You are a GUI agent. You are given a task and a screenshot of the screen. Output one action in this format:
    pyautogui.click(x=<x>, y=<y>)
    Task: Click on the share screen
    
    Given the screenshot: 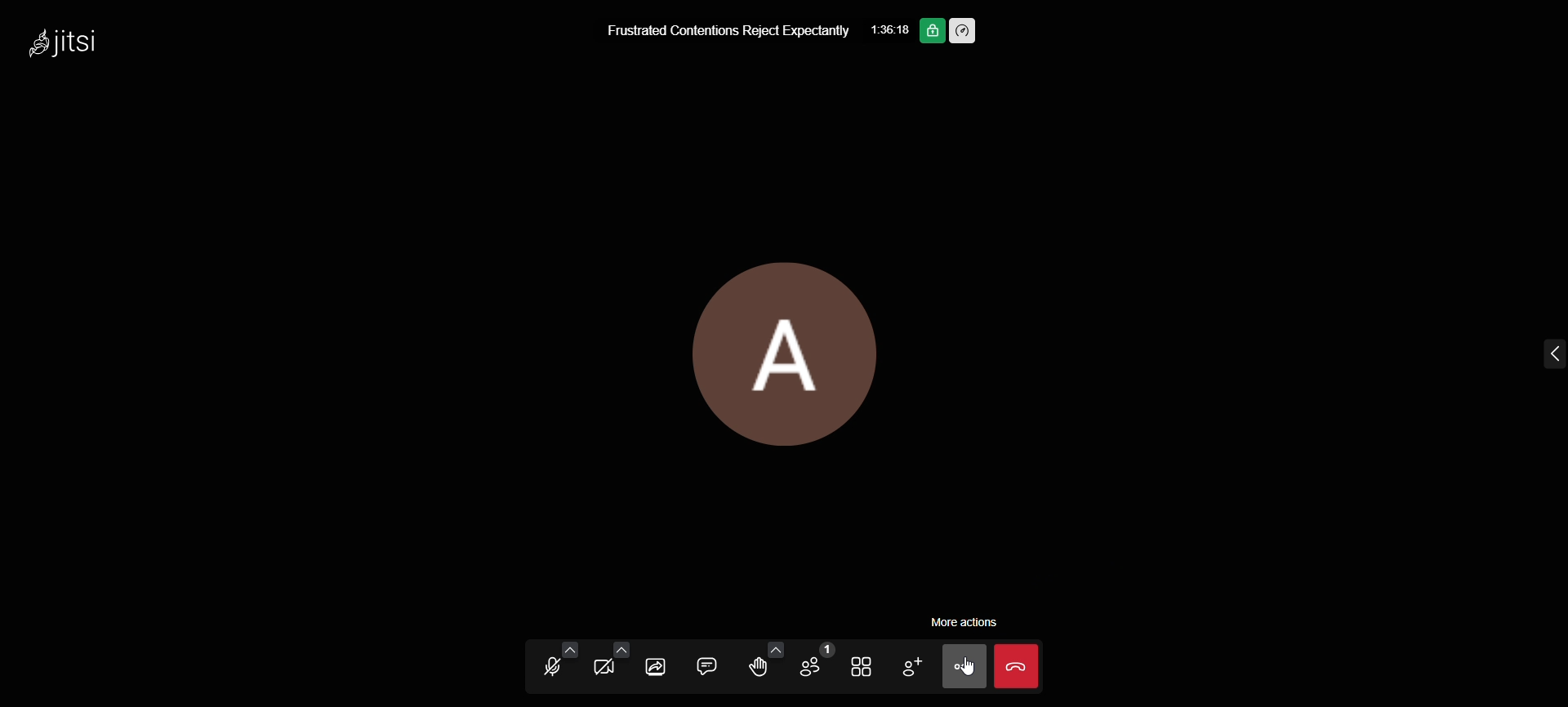 What is the action you would take?
    pyautogui.click(x=656, y=663)
    